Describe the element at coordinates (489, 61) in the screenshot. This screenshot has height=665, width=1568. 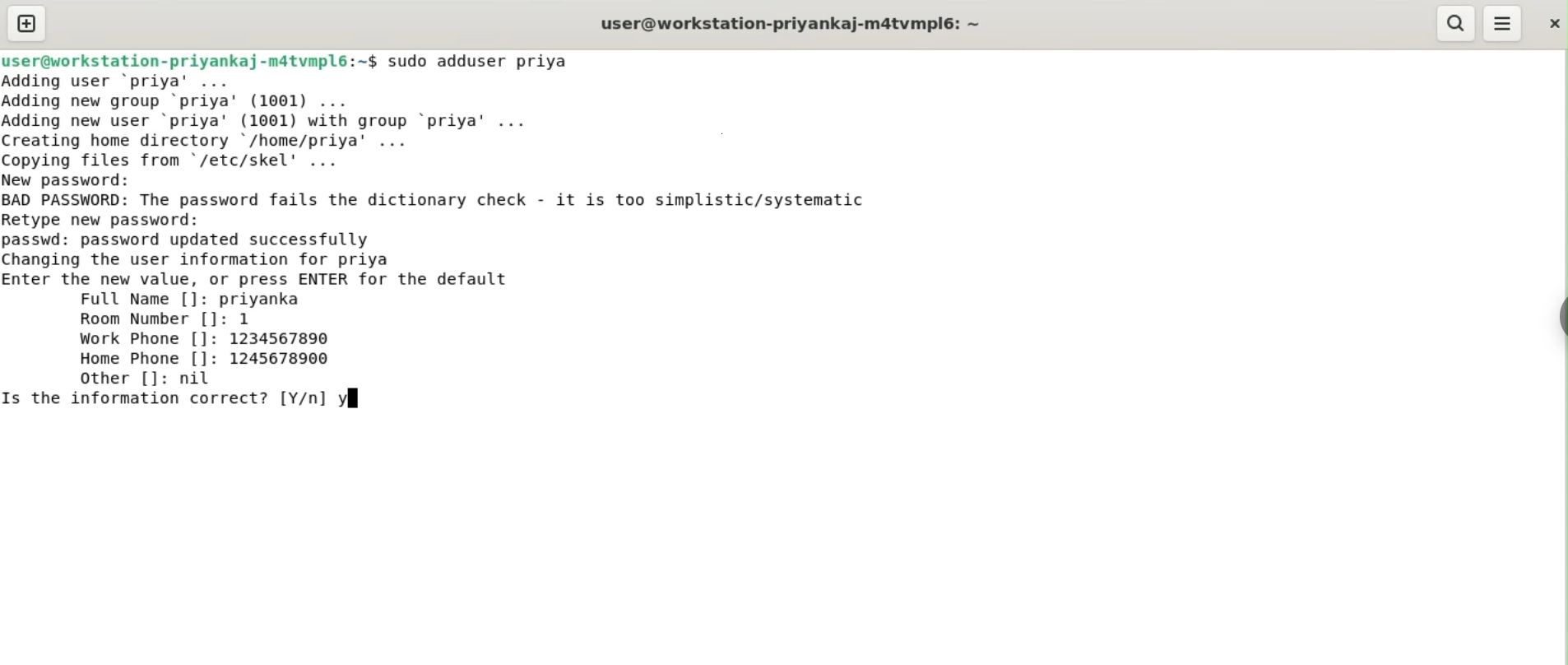
I see `sudo adduser priya` at that location.